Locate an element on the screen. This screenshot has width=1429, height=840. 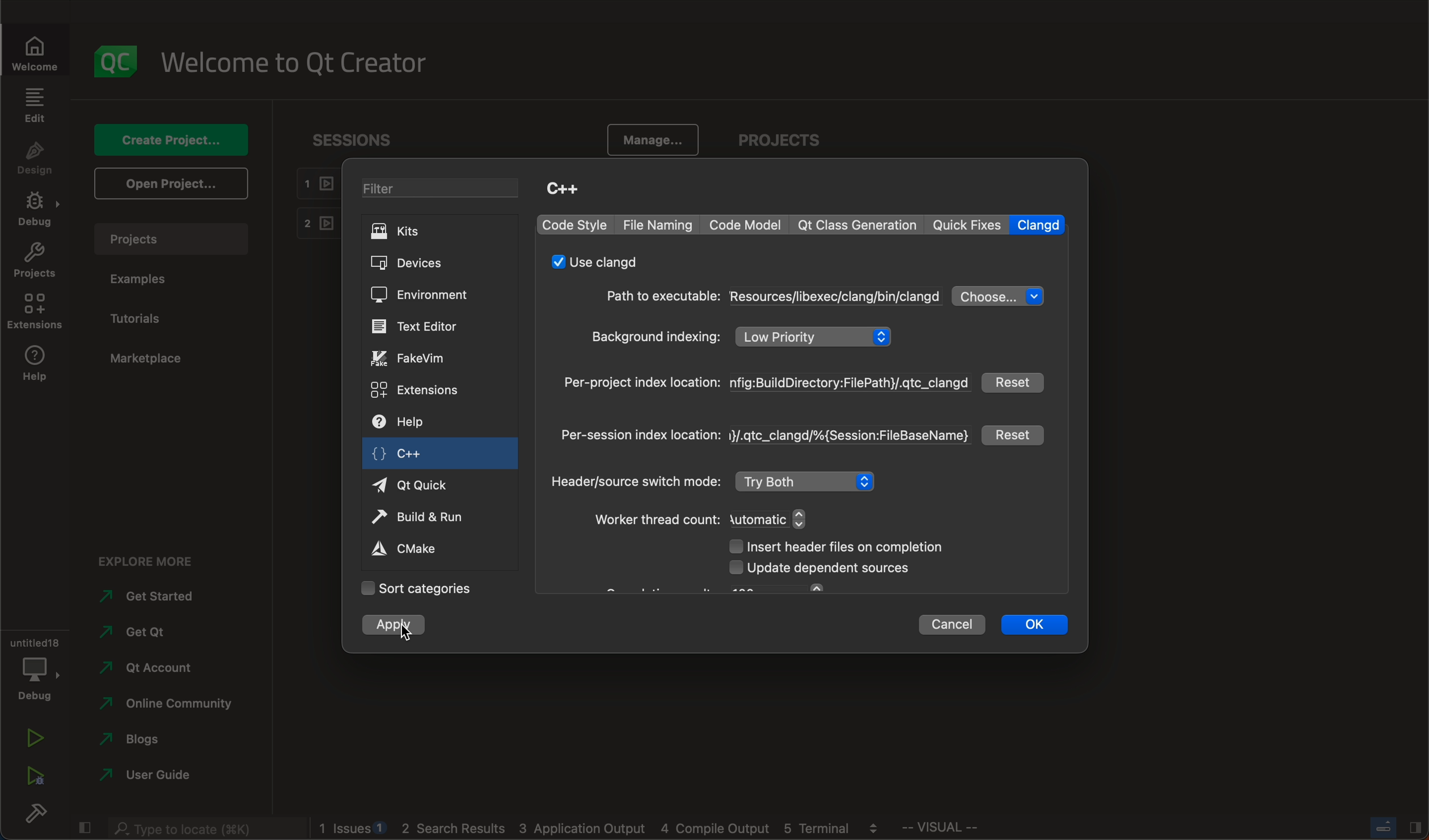
get started is located at coordinates (153, 596).